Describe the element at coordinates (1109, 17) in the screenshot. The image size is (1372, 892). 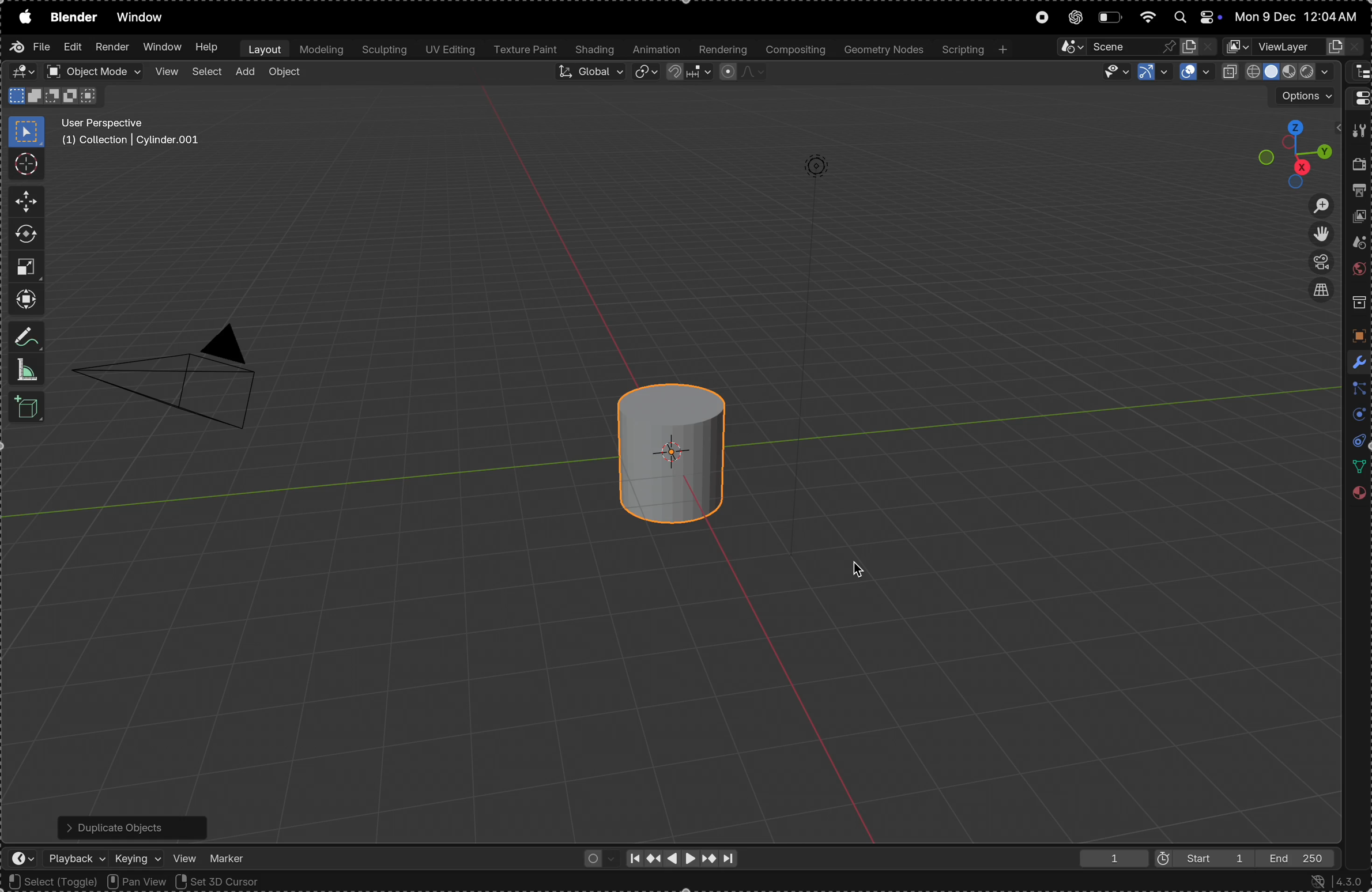
I see `battery` at that location.